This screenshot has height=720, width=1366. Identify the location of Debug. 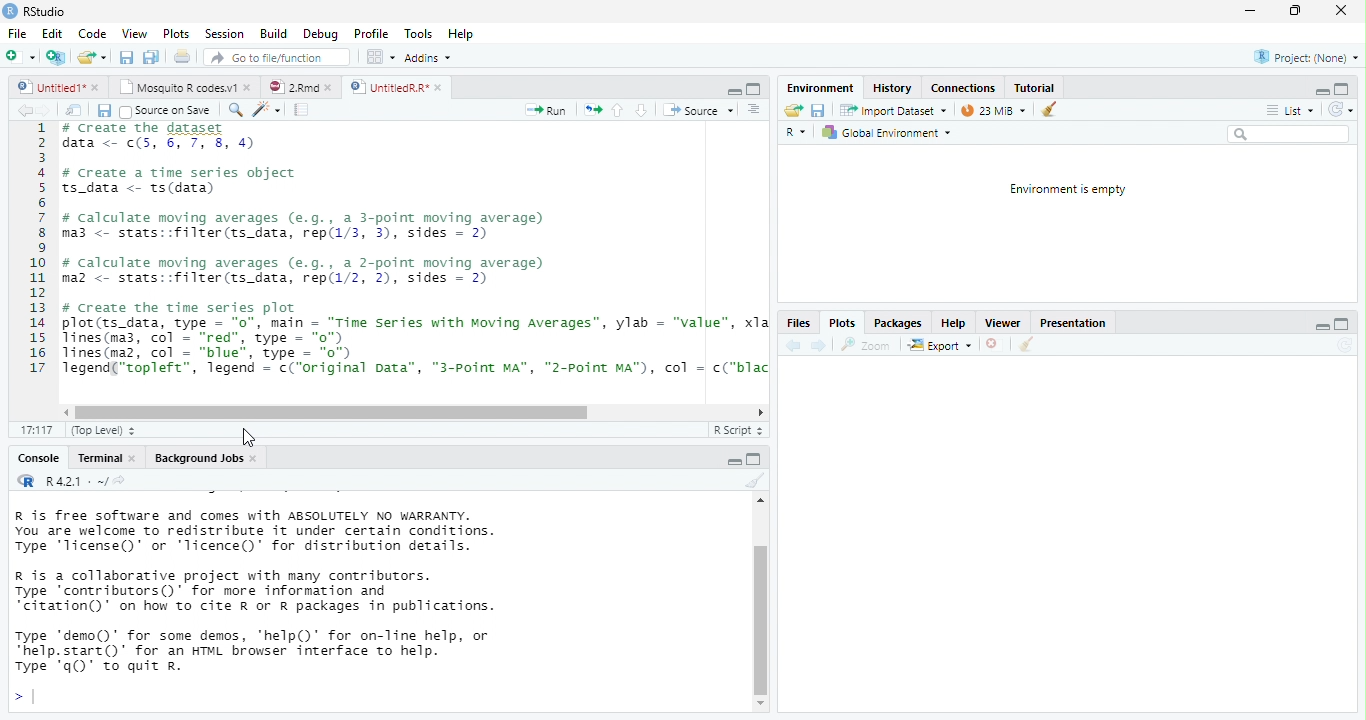
(320, 34).